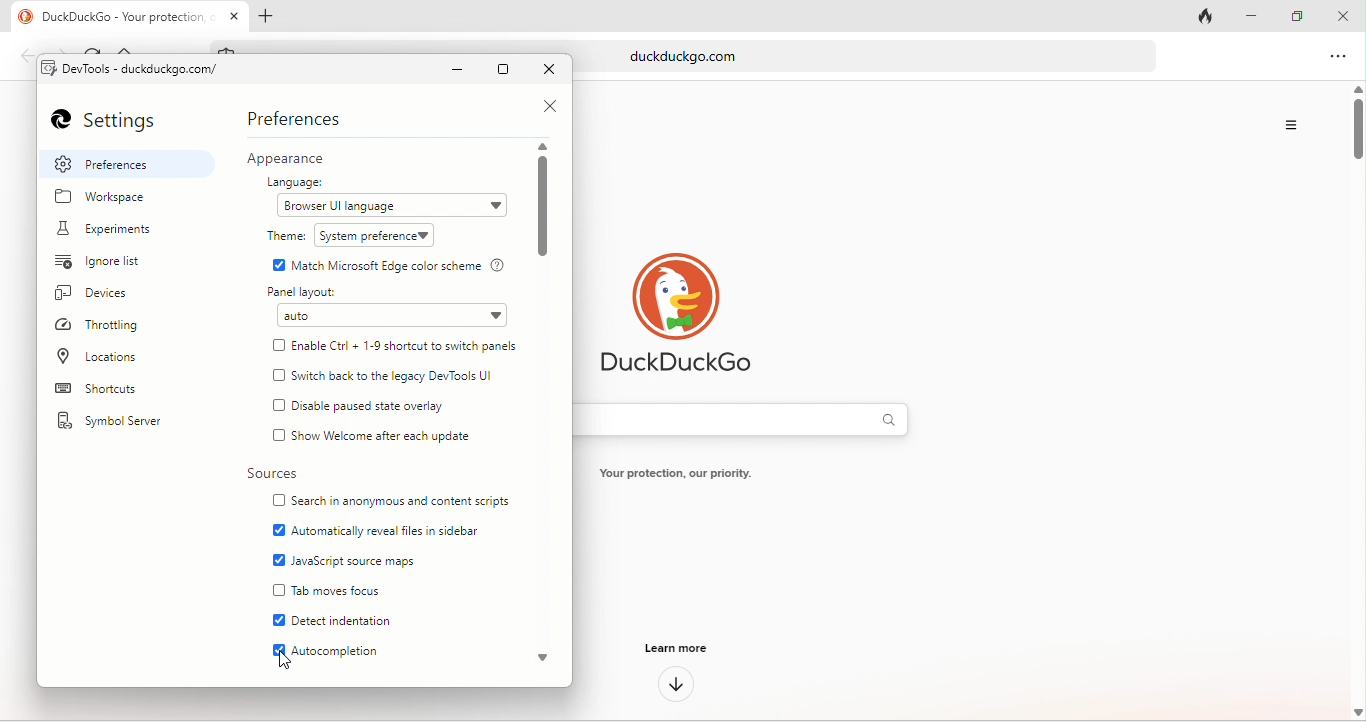  Describe the element at coordinates (148, 70) in the screenshot. I see `dev tools - duclduckgo.com` at that location.